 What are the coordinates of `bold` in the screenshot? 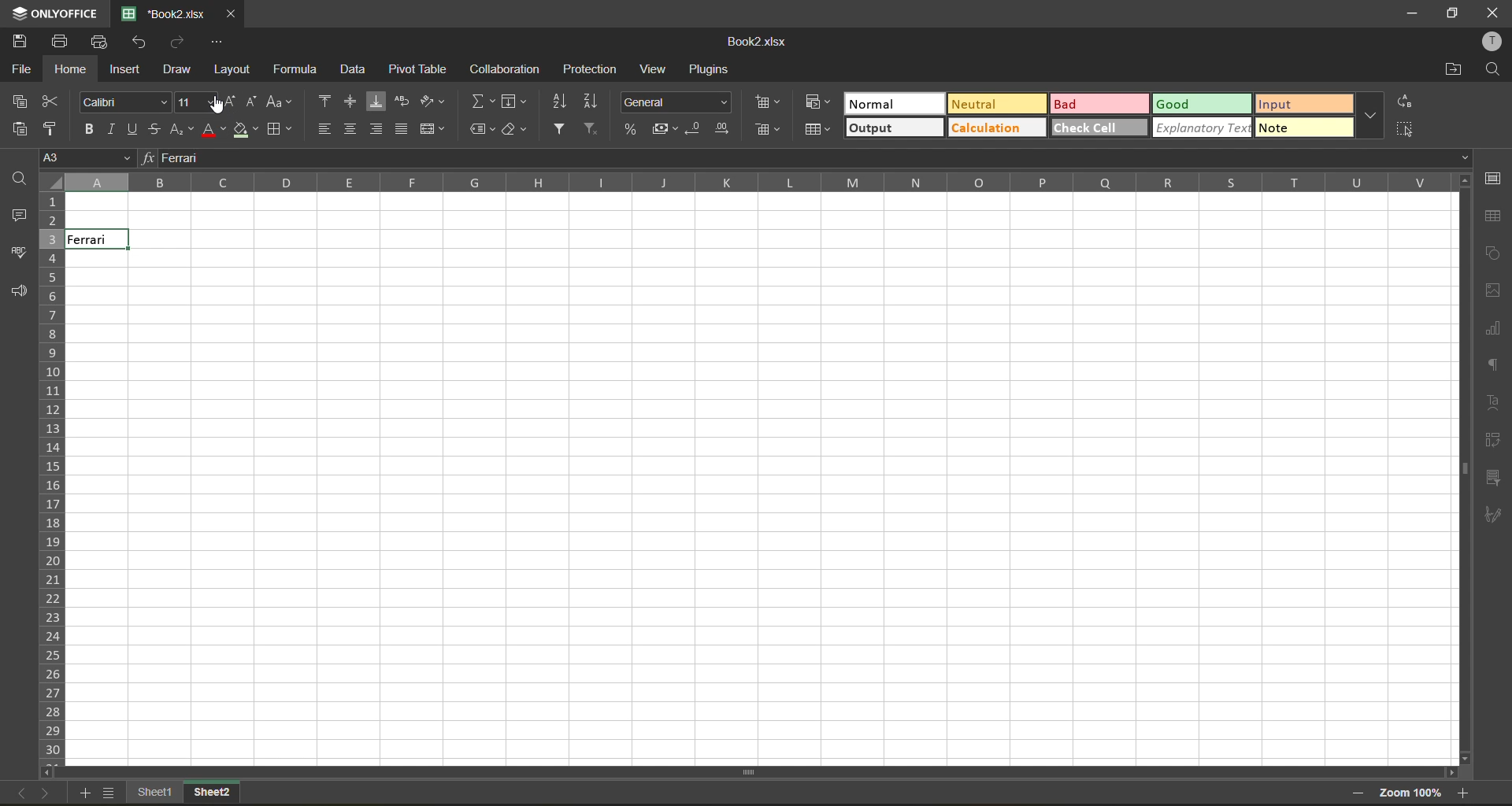 It's located at (86, 130).